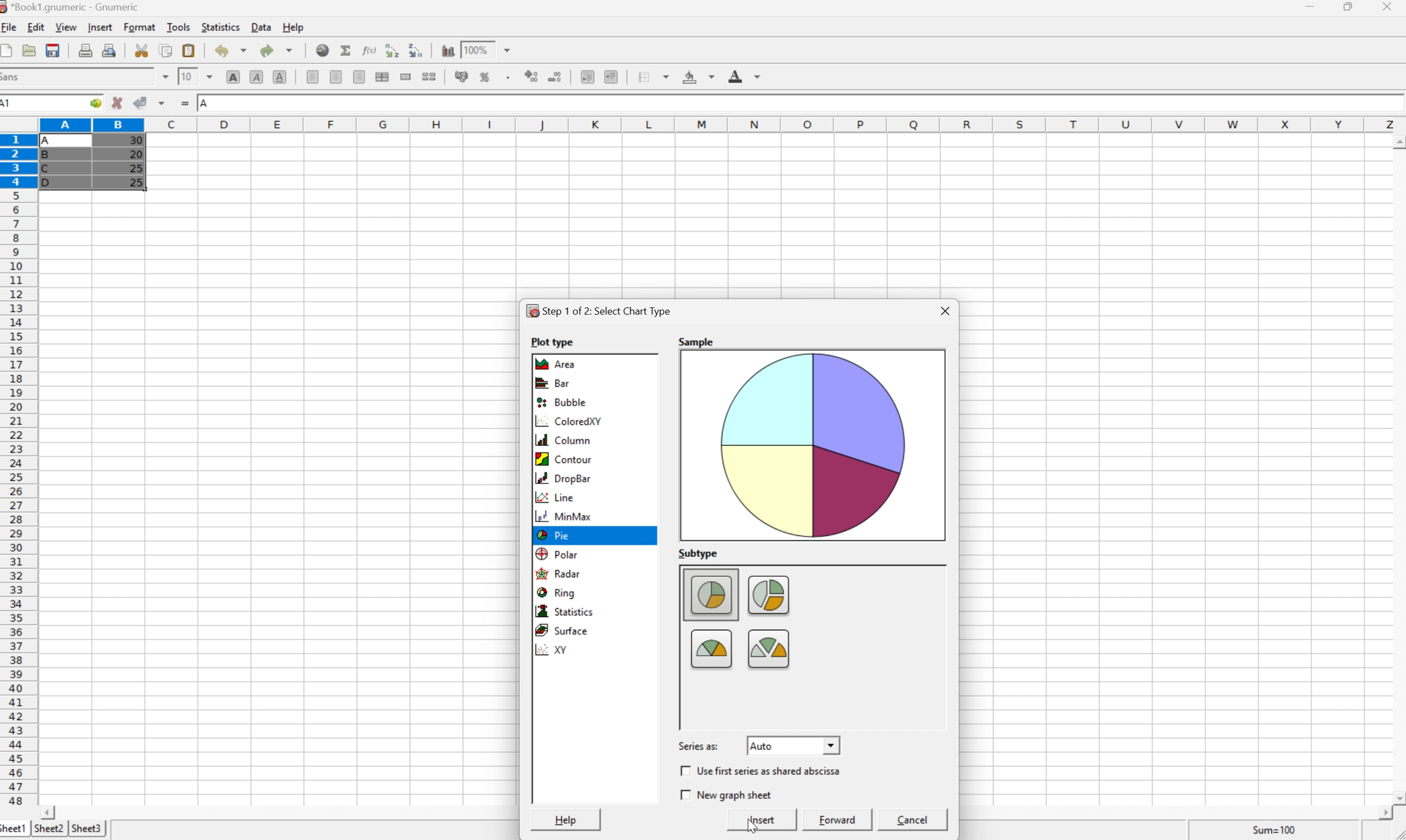  Describe the element at coordinates (915, 820) in the screenshot. I see `Cancel` at that location.